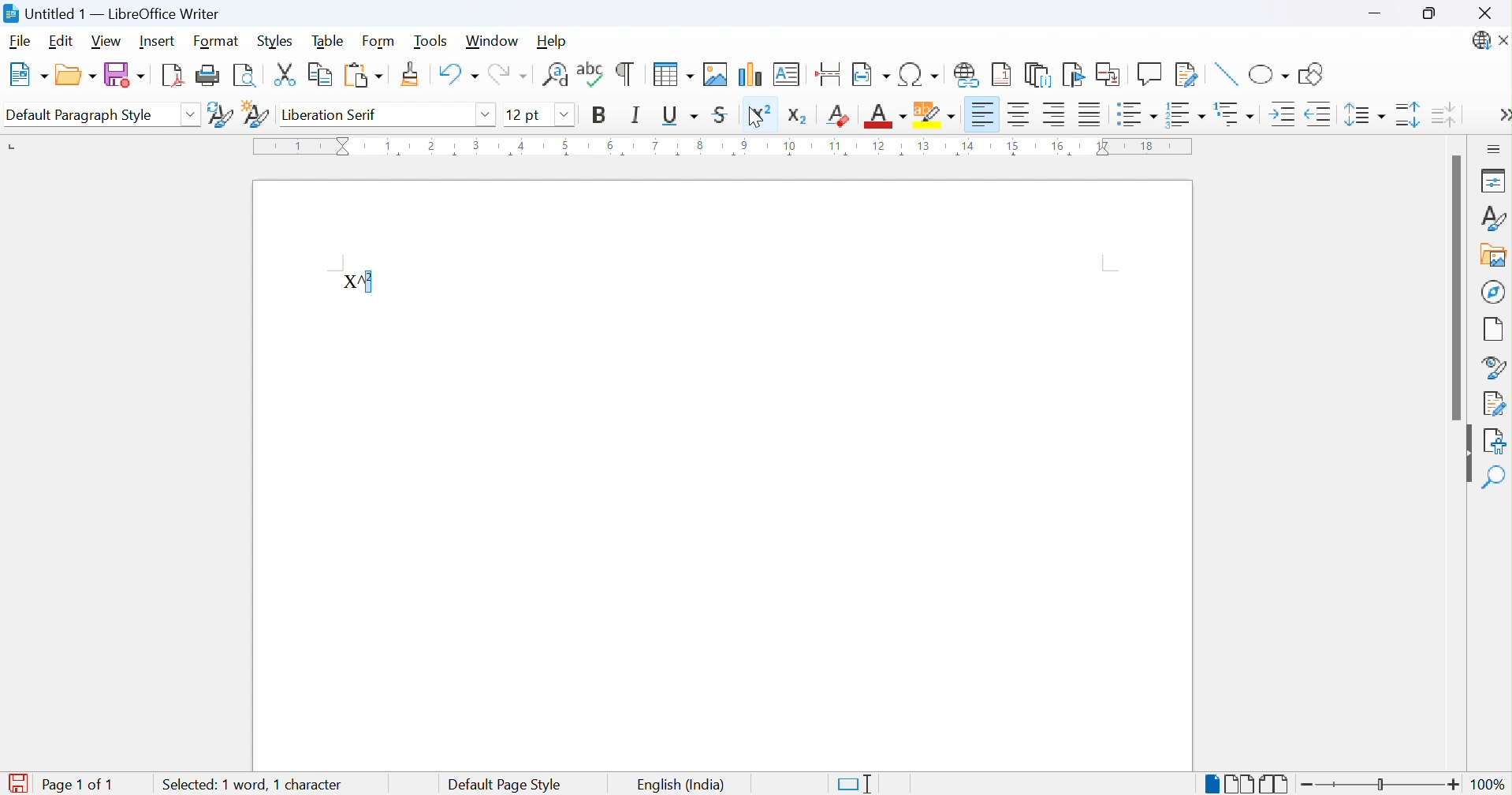 The width and height of the screenshot is (1512, 795). I want to click on Show track changes functions, so click(1187, 76).